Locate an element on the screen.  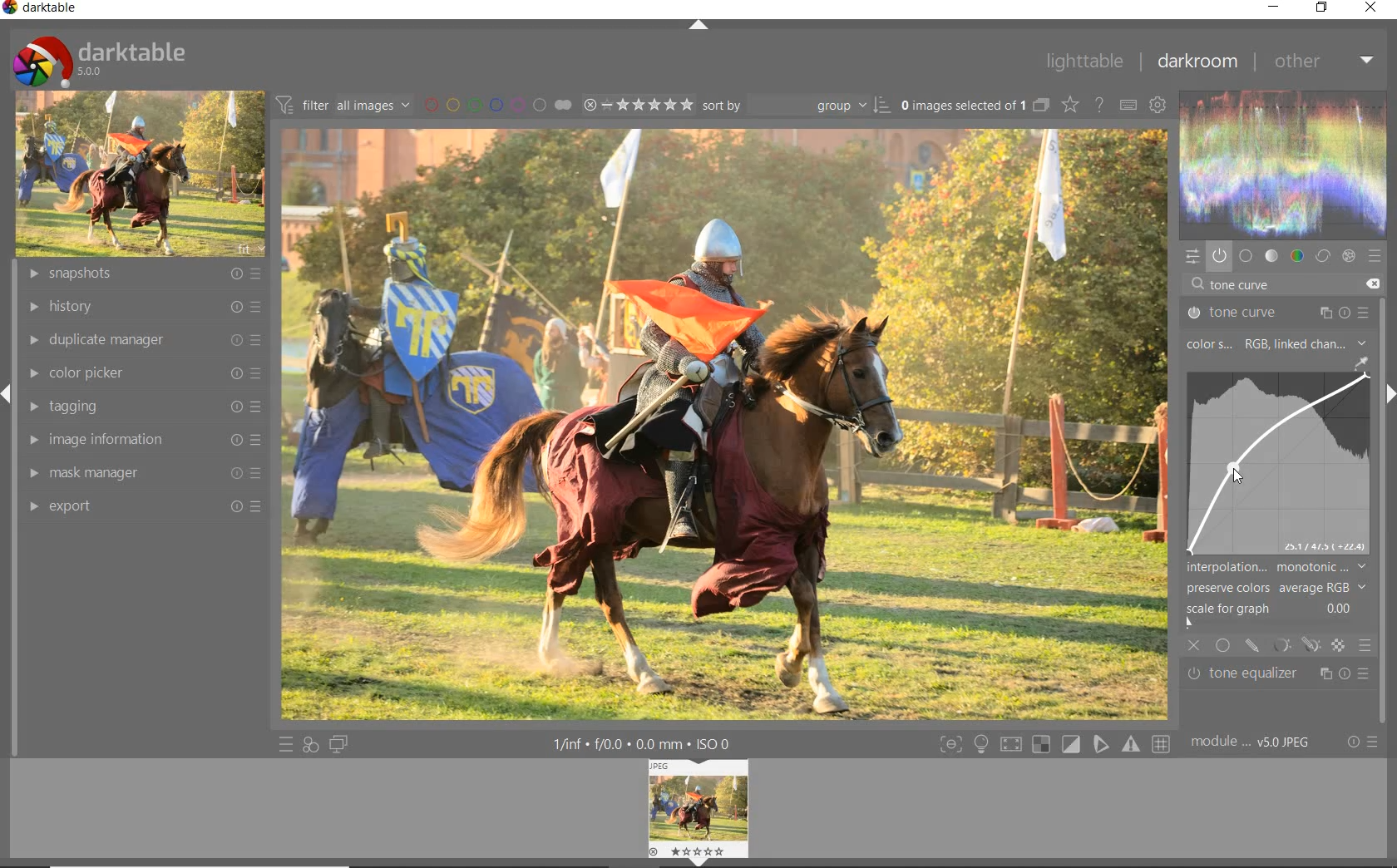
enable for online help is located at coordinates (1099, 107).